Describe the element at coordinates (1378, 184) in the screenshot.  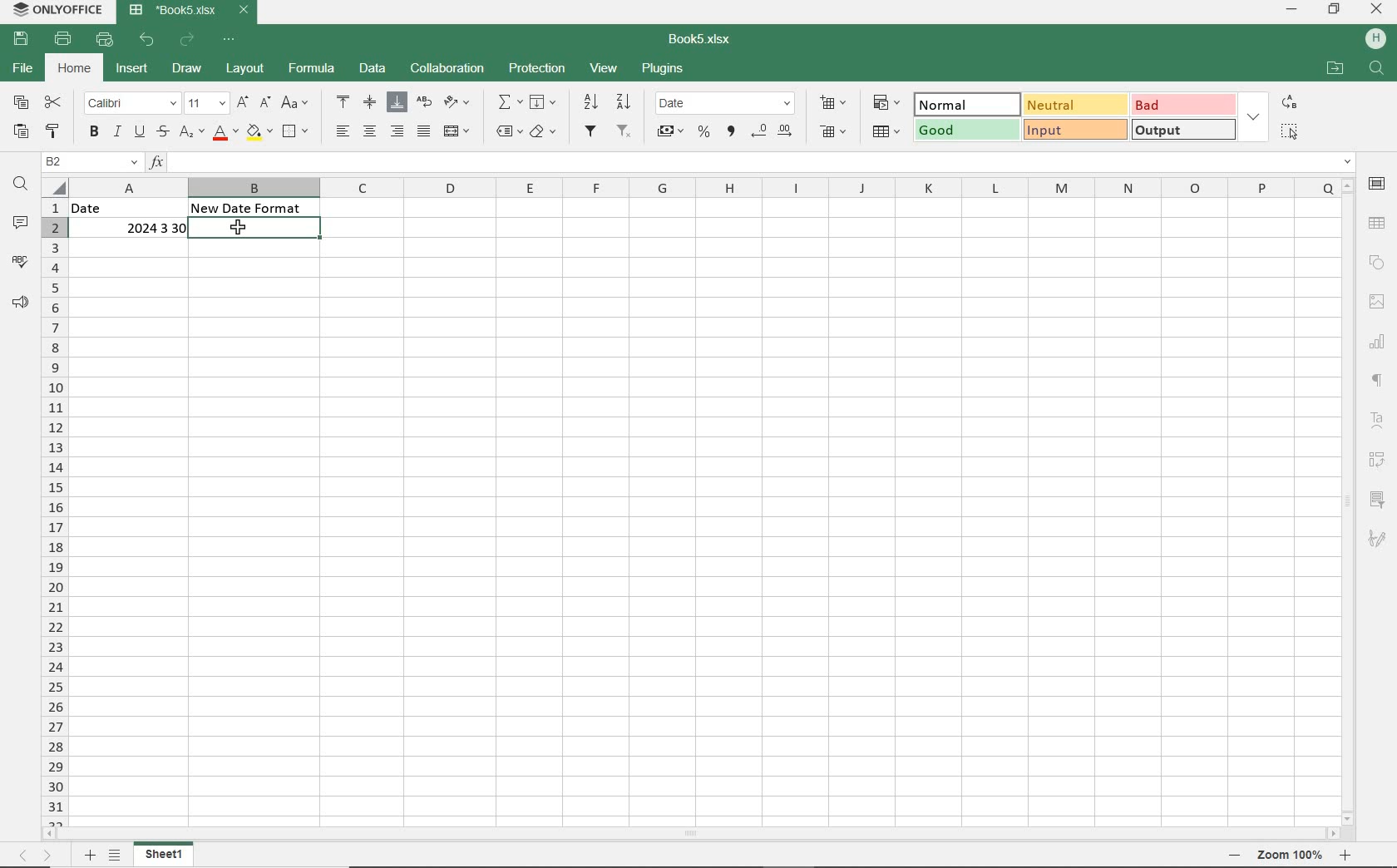
I see `CELL SETTINGS` at that location.